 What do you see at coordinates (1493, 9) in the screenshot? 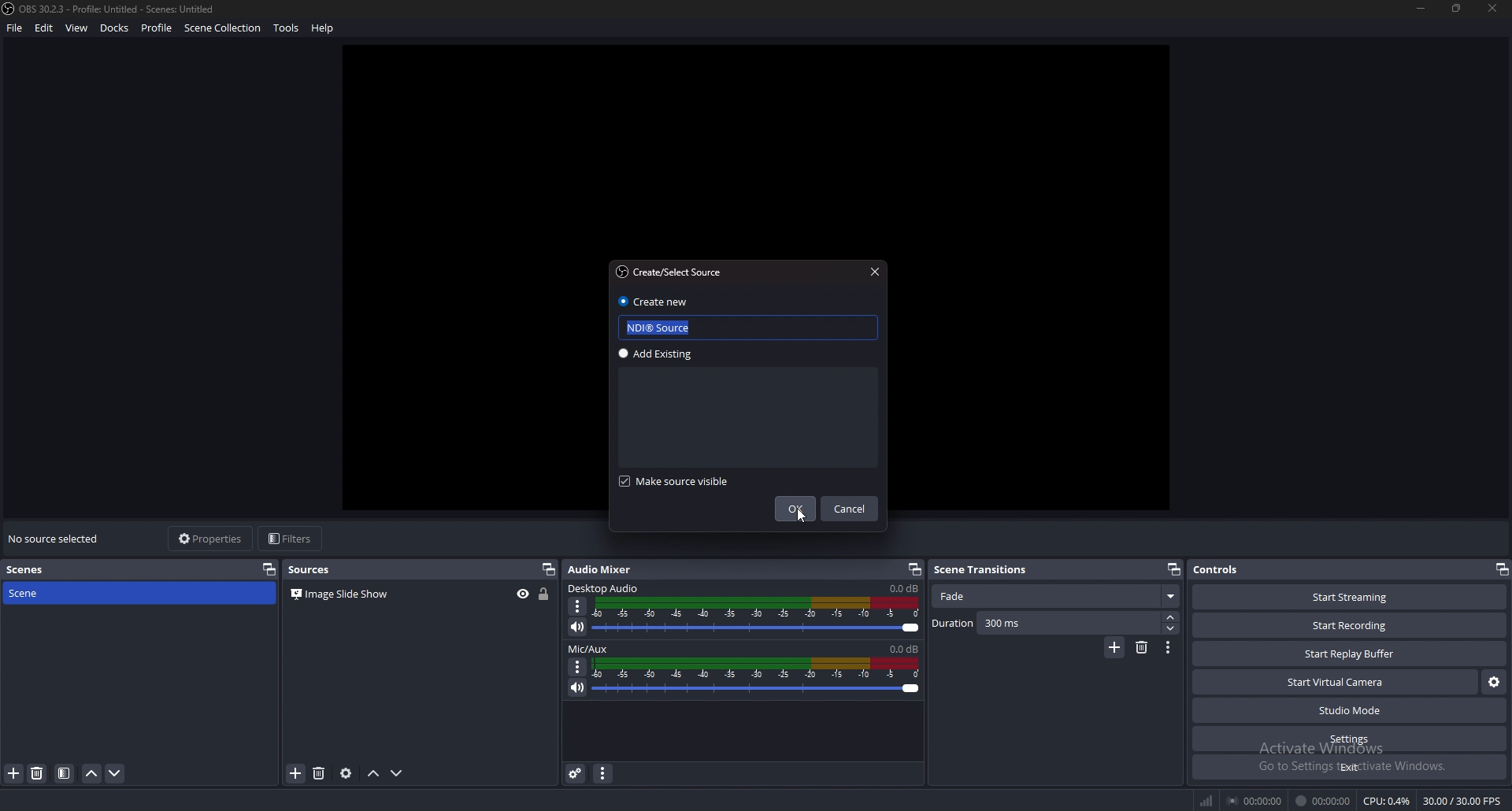
I see `close` at bounding box center [1493, 9].